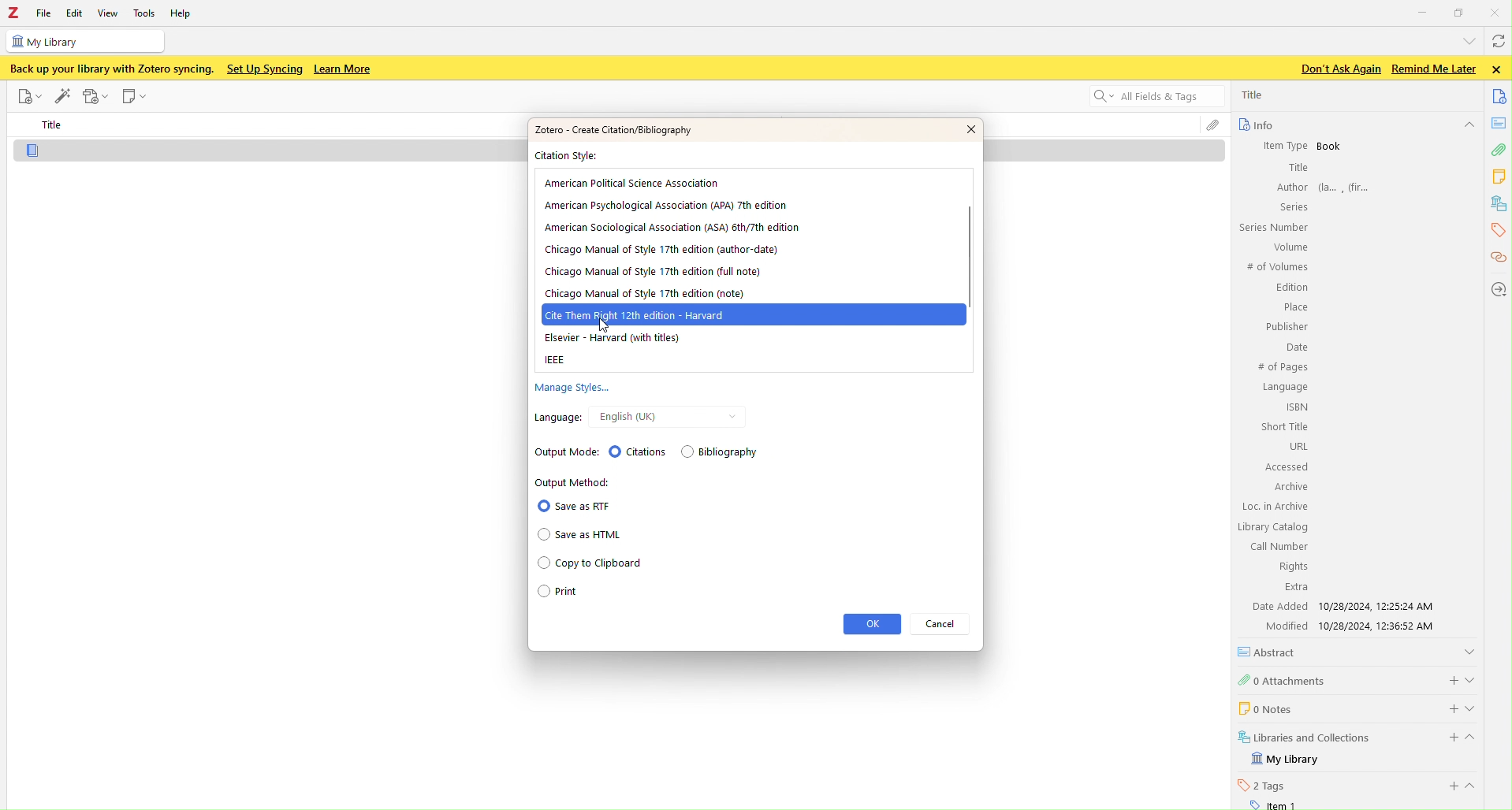  Describe the element at coordinates (1264, 708) in the screenshot. I see `0 Notes` at that location.